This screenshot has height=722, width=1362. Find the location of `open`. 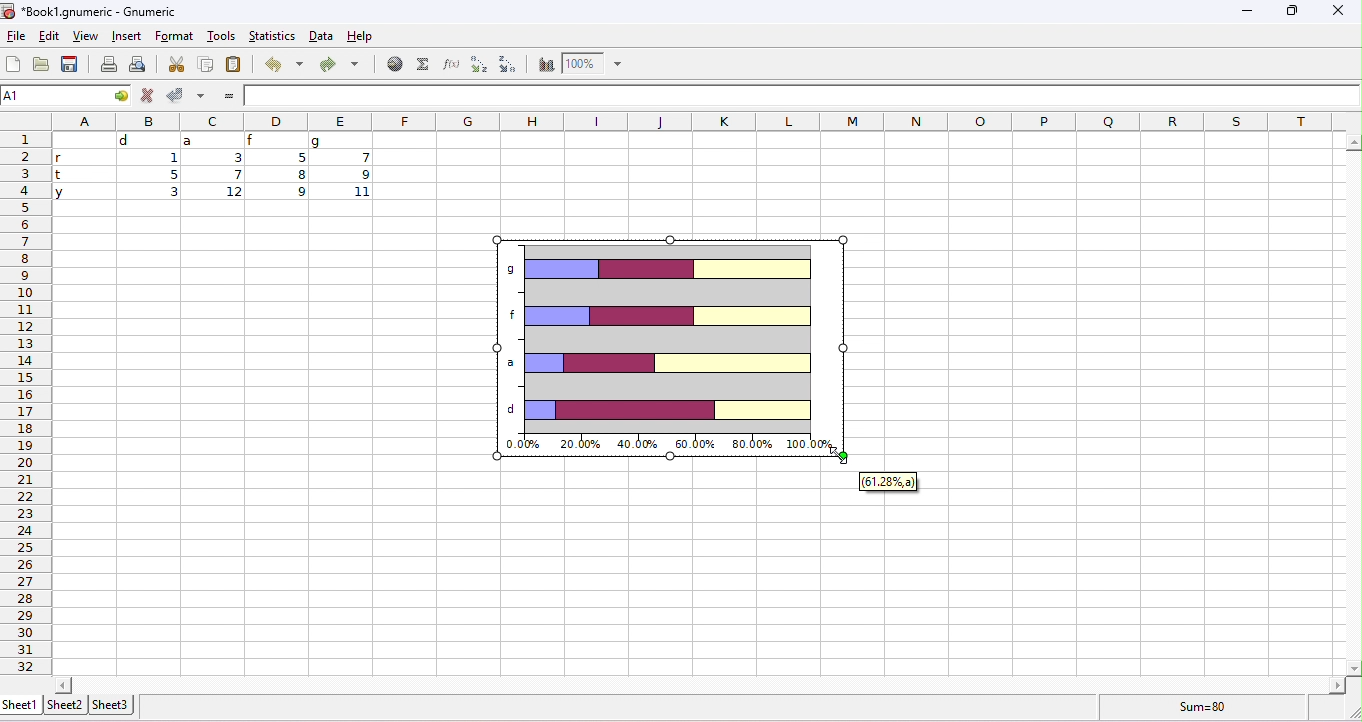

open is located at coordinates (43, 65).